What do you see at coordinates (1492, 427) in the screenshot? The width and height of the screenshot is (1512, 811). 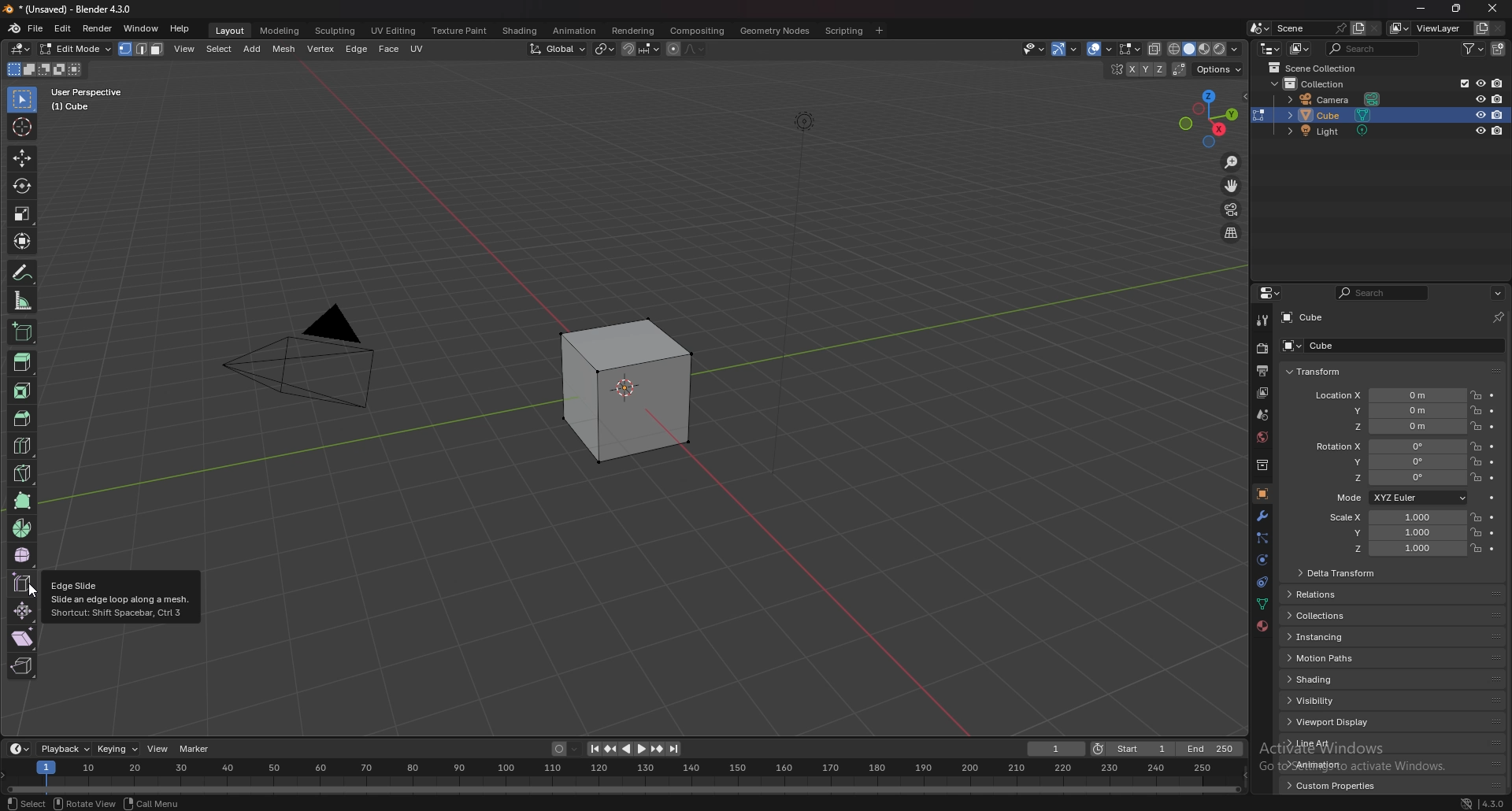 I see `animate property` at bounding box center [1492, 427].